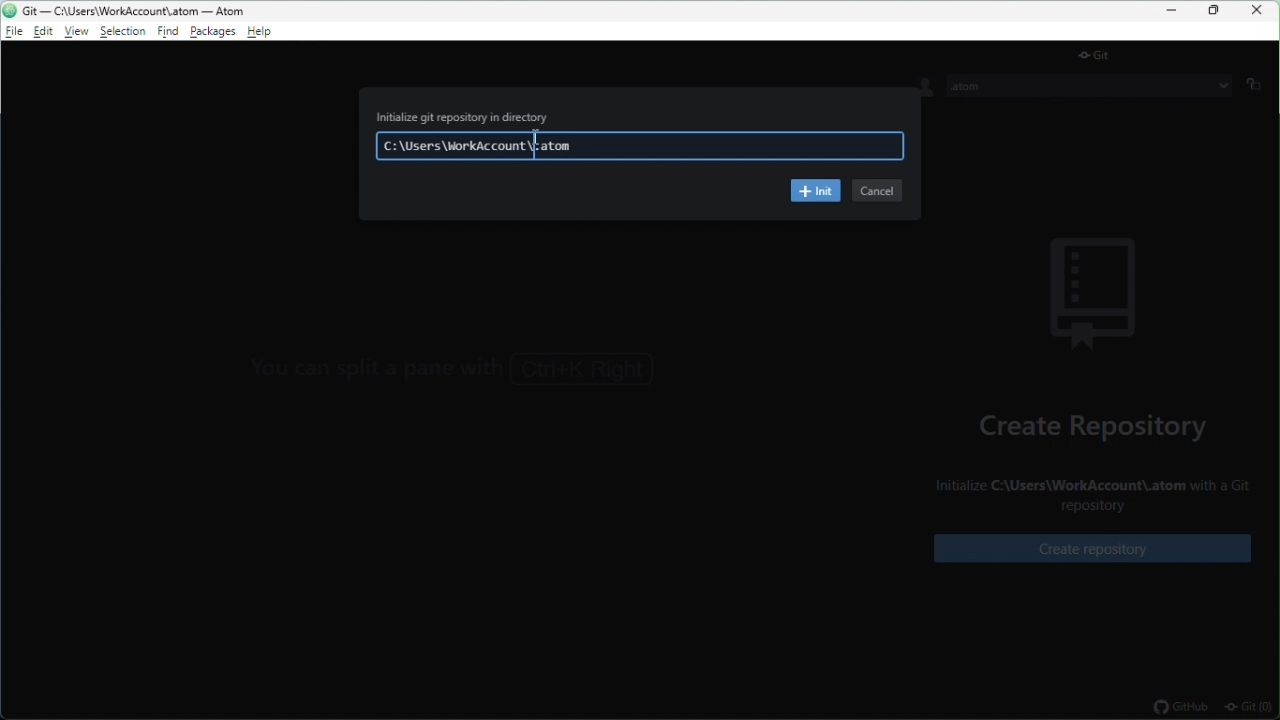  Describe the element at coordinates (463, 113) in the screenshot. I see `Initialize git repository in directory` at that location.